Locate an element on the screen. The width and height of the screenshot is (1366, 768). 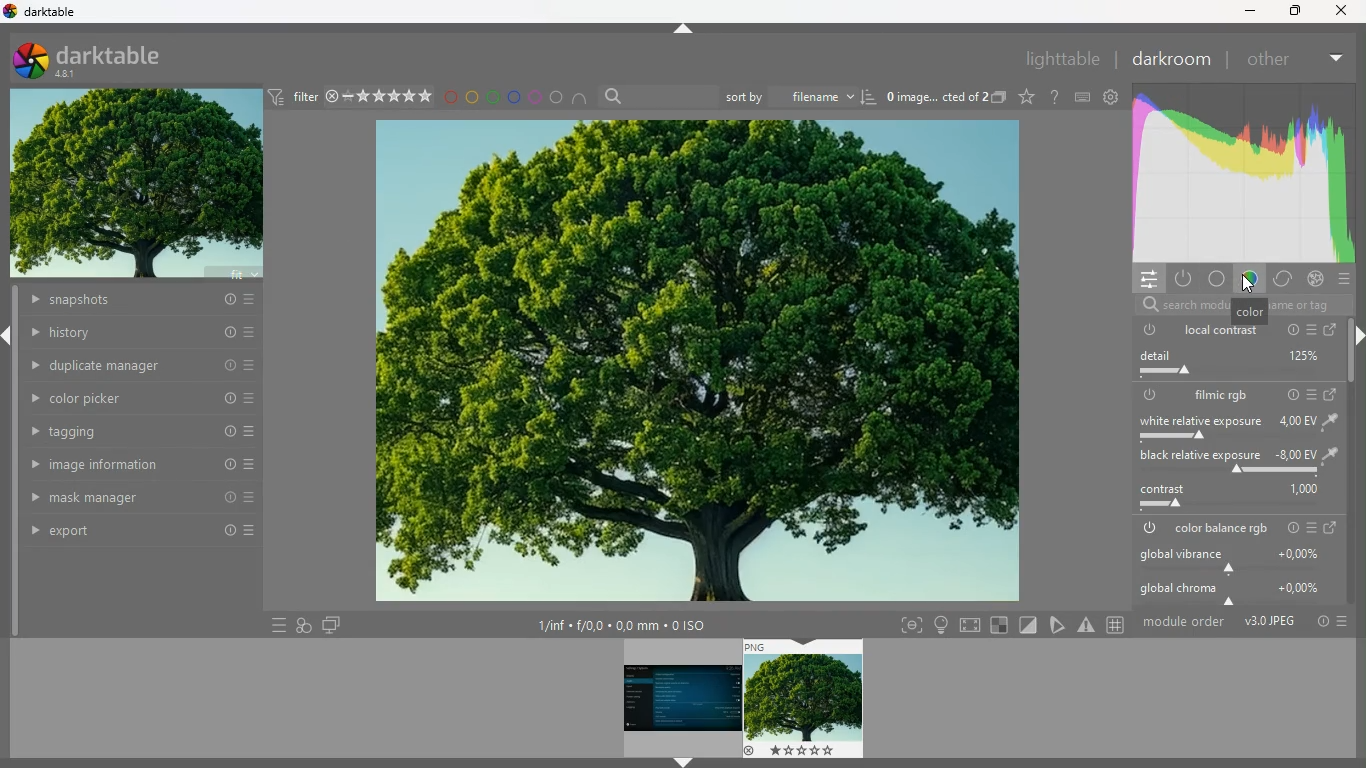
image is located at coordinates (679, 696).